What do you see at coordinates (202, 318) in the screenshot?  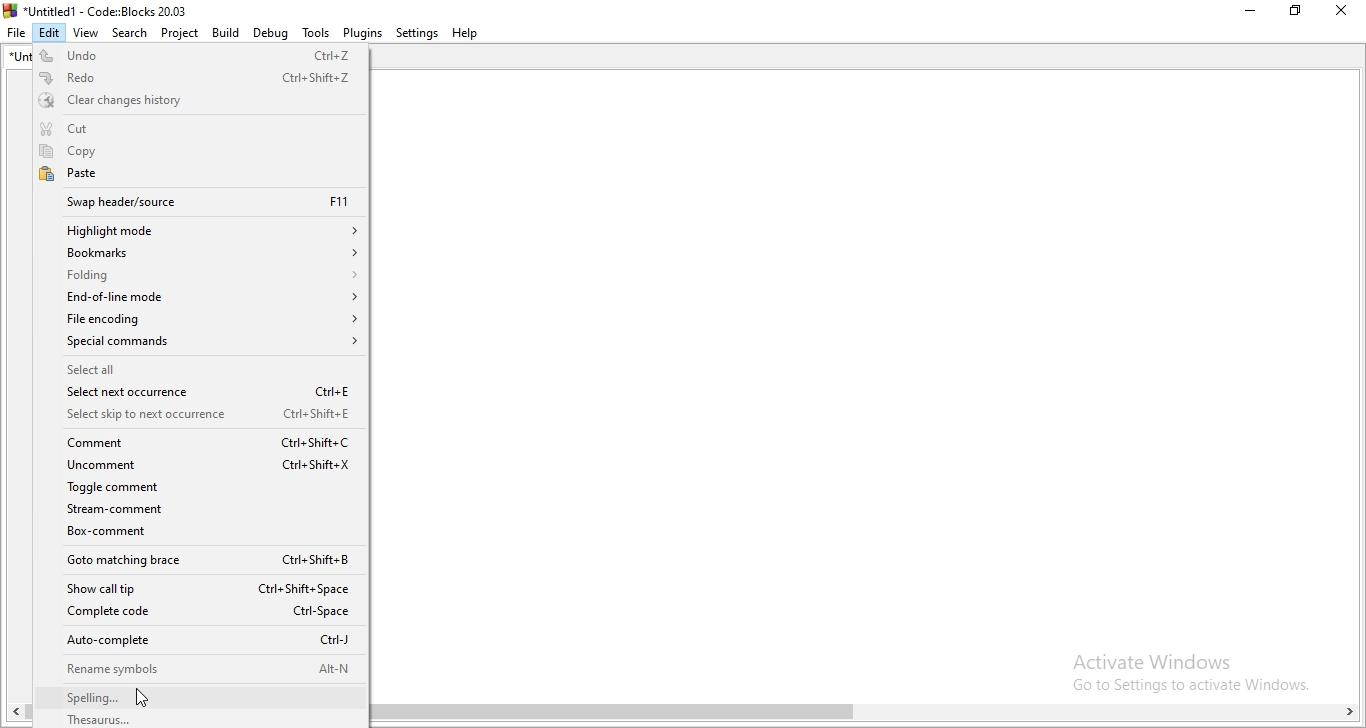 I see `File encoding` at bounding box center [202, 318].